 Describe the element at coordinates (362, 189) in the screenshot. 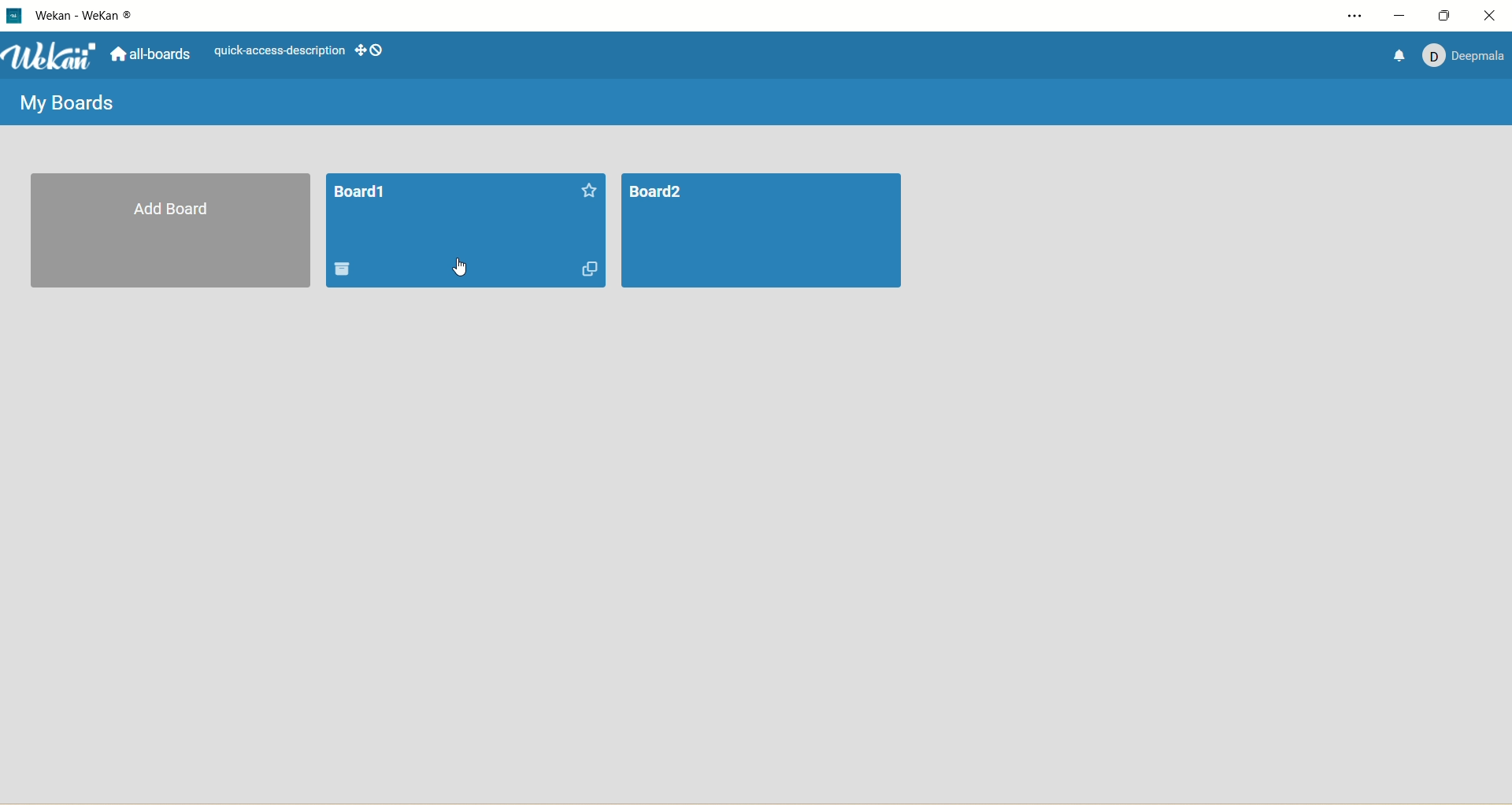

I see `title` at that location.